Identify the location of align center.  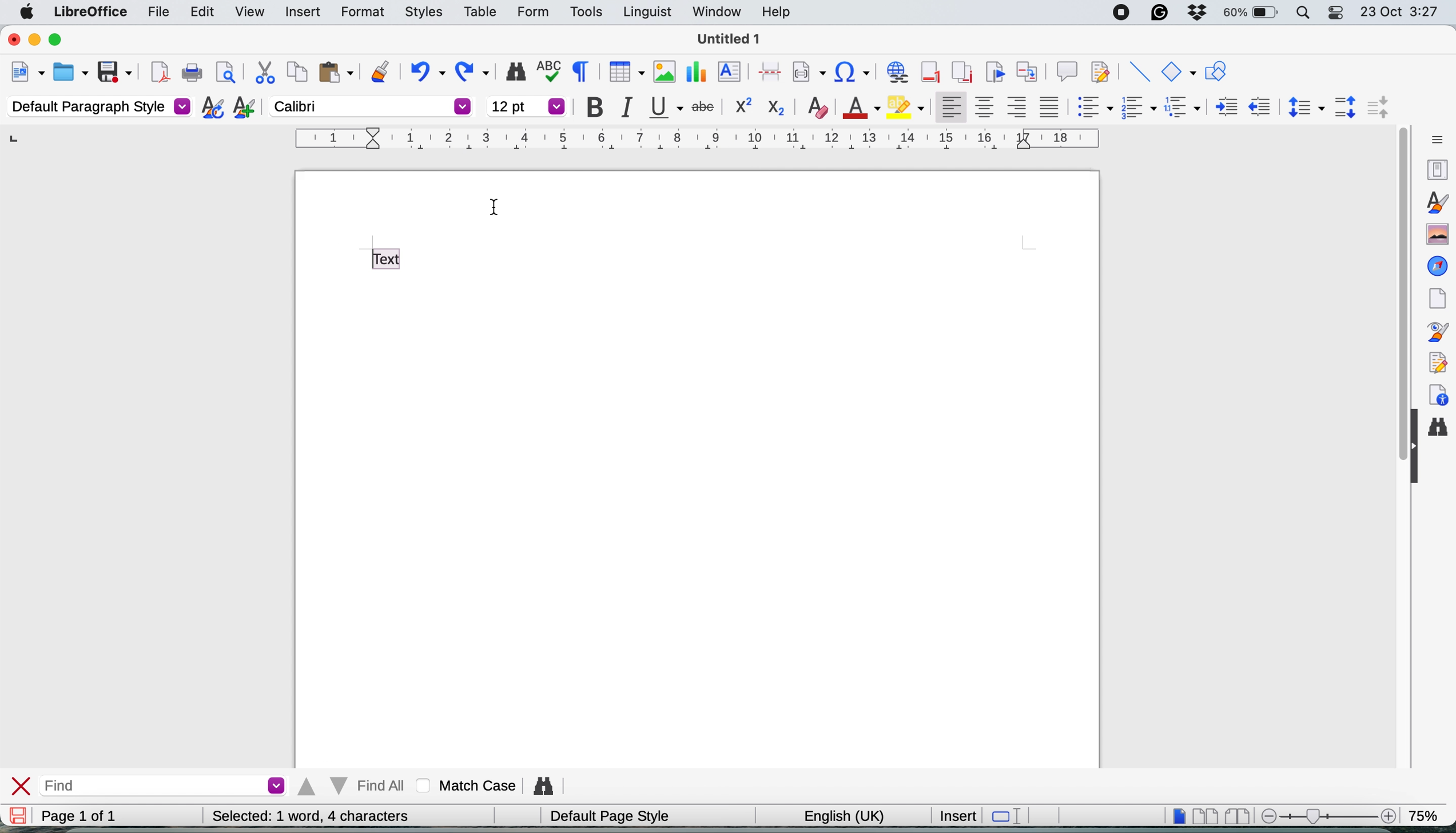
(985, 108).